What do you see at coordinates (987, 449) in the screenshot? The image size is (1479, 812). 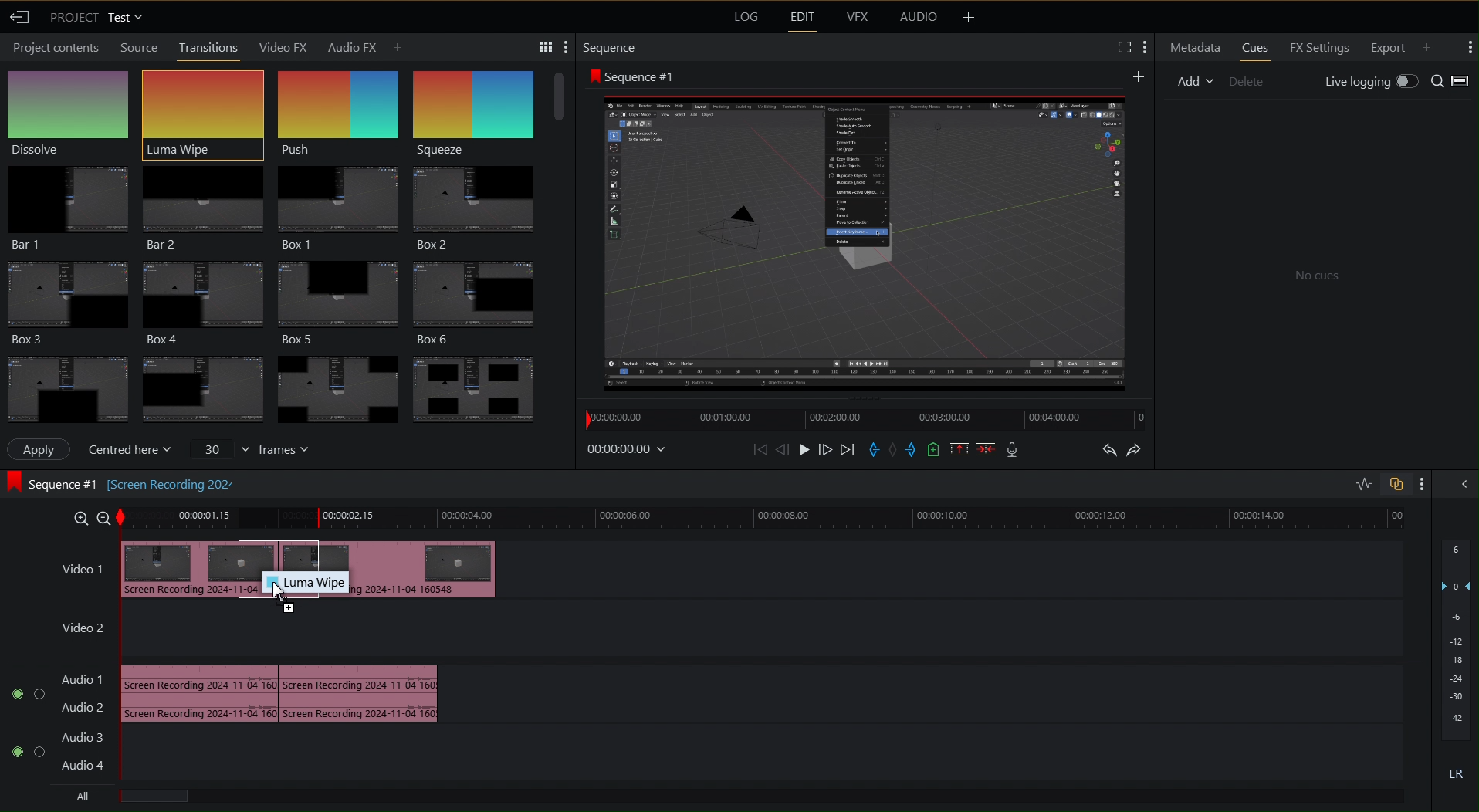 I see `Delete/Cut` at bounding box center [987, 449].